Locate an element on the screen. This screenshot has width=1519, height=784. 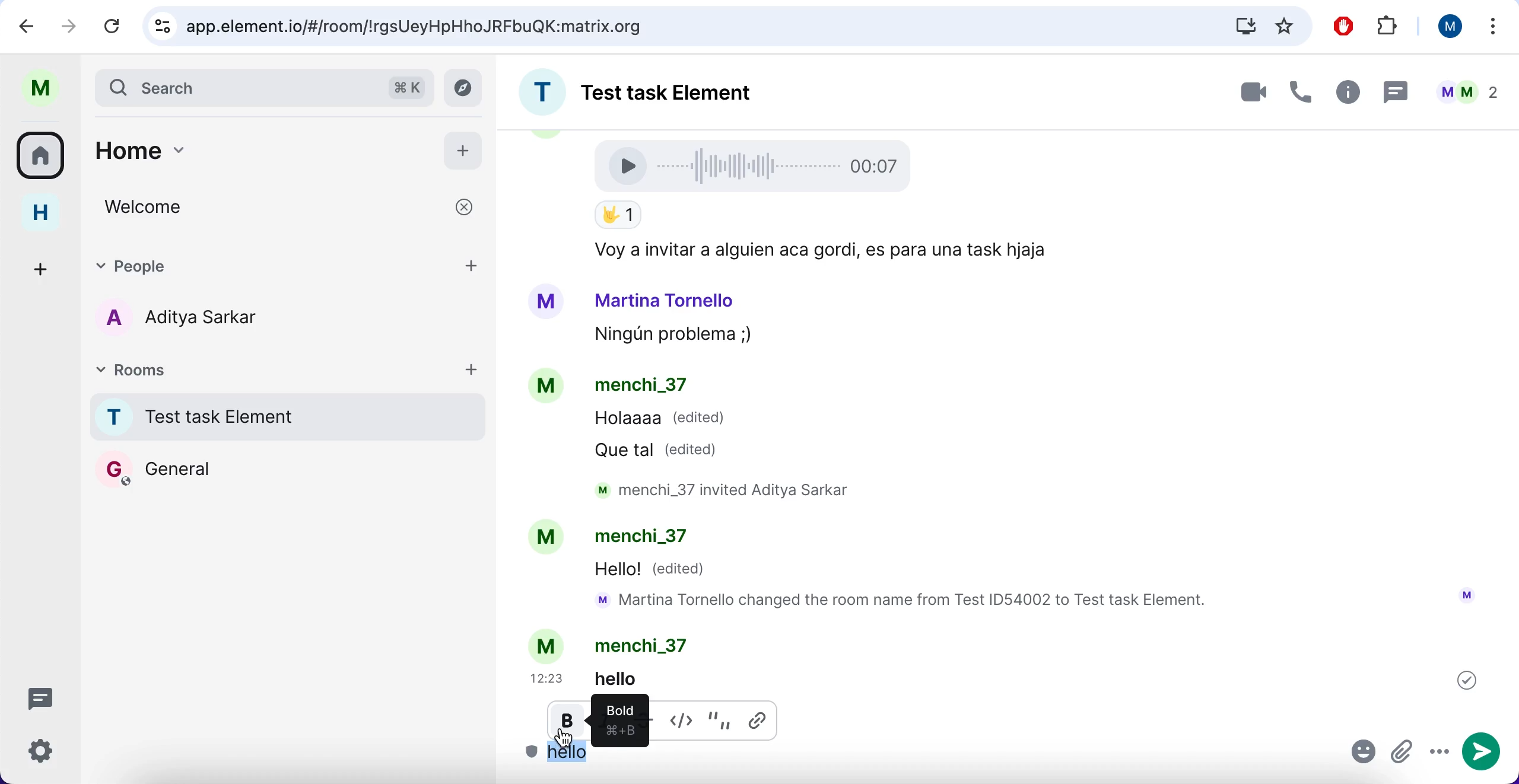
bold is located at coordinates (568, 725).